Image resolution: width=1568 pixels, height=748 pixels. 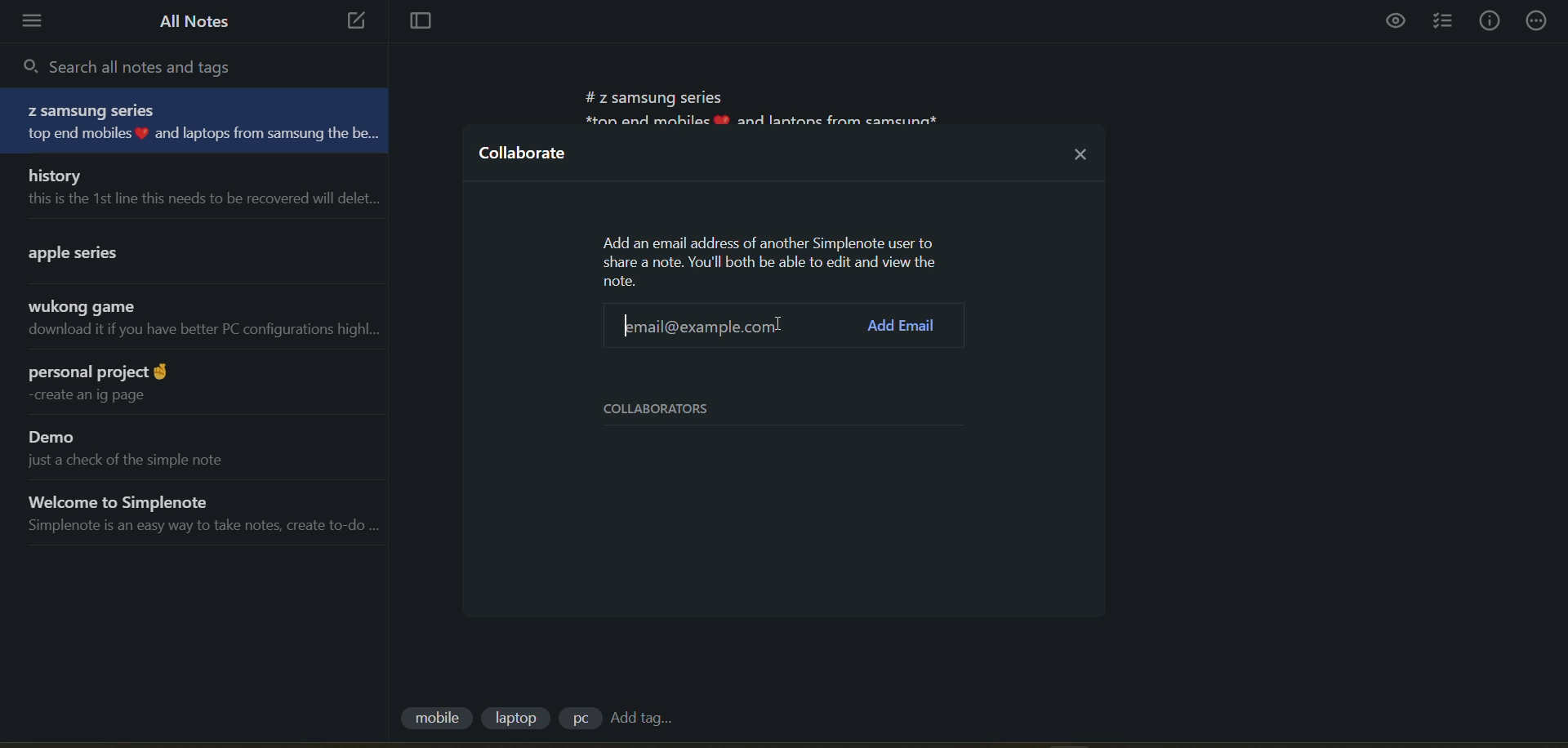 What do you see at coordinates (196, 514) in the screenshot?
I see `note title and preview` at bounding box center [196, 514].